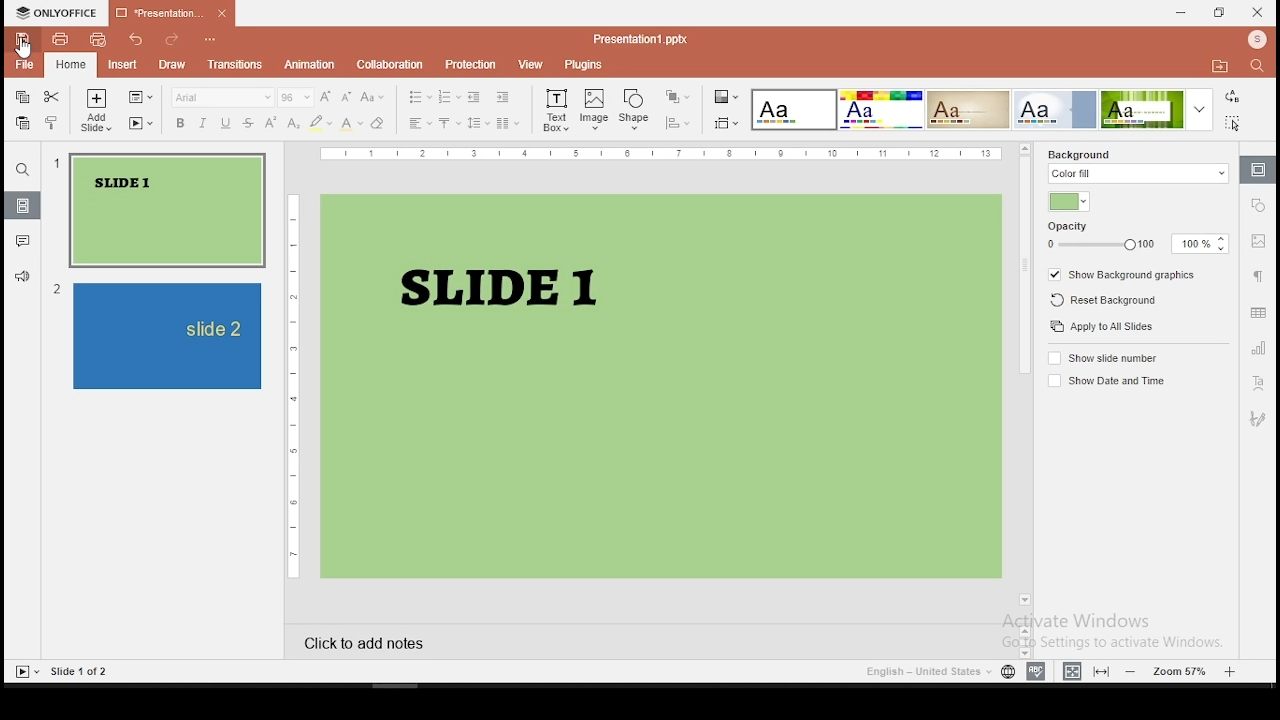 The width and height of the screenshot is (1280, 720). I want to click on apply to all slides, so click(1099, 326).